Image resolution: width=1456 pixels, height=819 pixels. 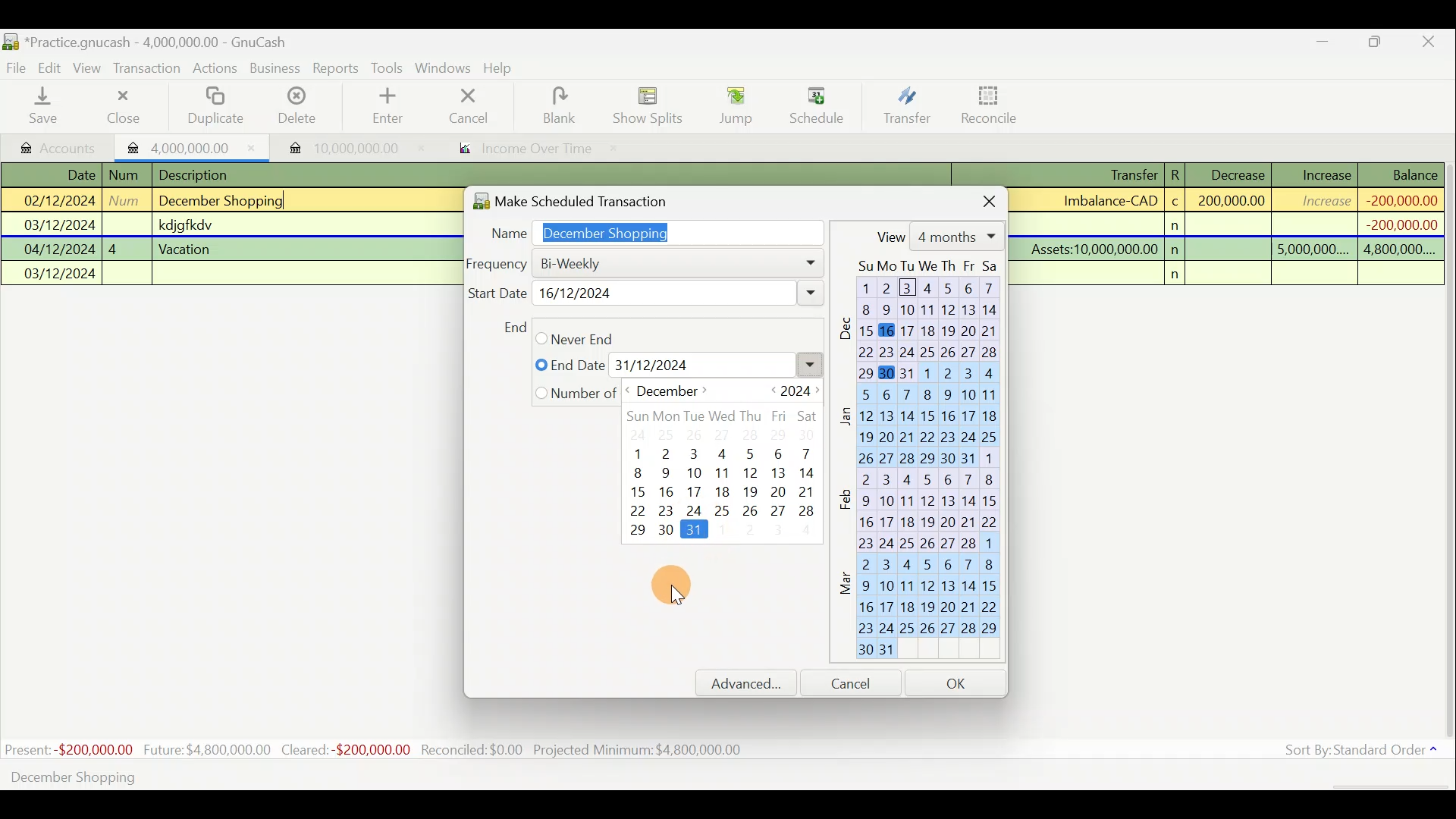 What do you see at coordinates (607, 262) in the screenshot?
I see `Daily` at bounding box center [607, 262].